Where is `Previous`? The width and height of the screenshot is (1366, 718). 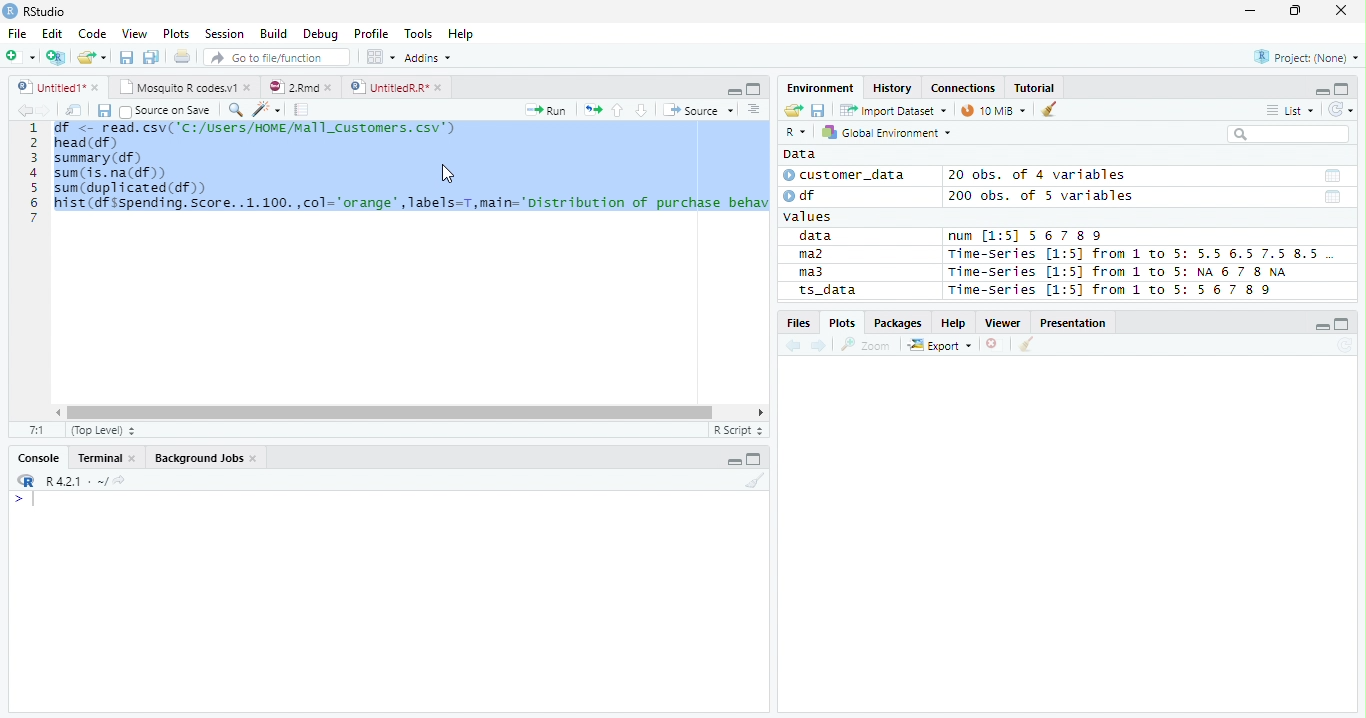 Previous is located at coordinates (796, 346).